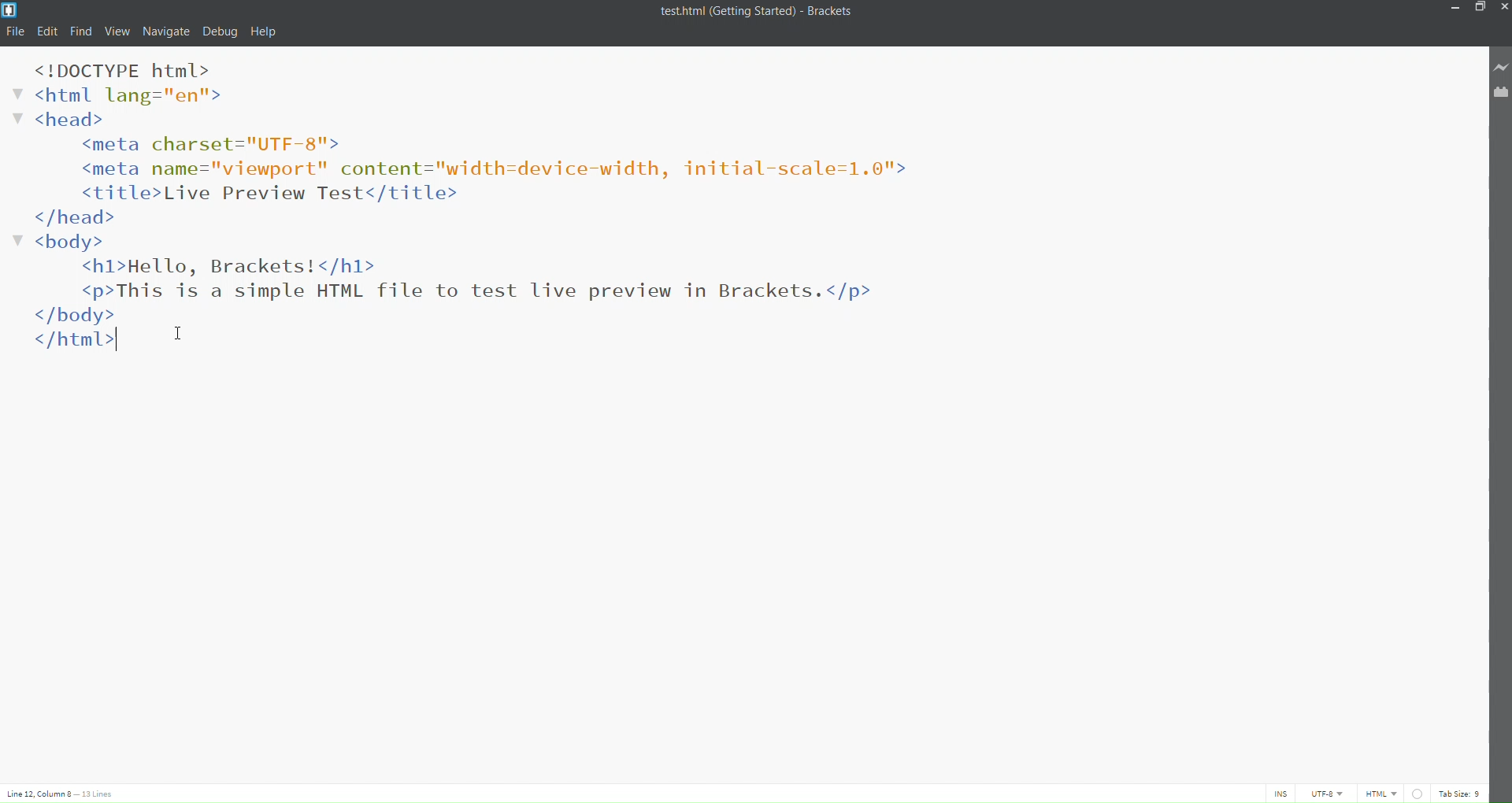  What do you see at coordinates (1454, 9) in the screenshot?
I see `Minimize` at bounding box center [1454, 9].